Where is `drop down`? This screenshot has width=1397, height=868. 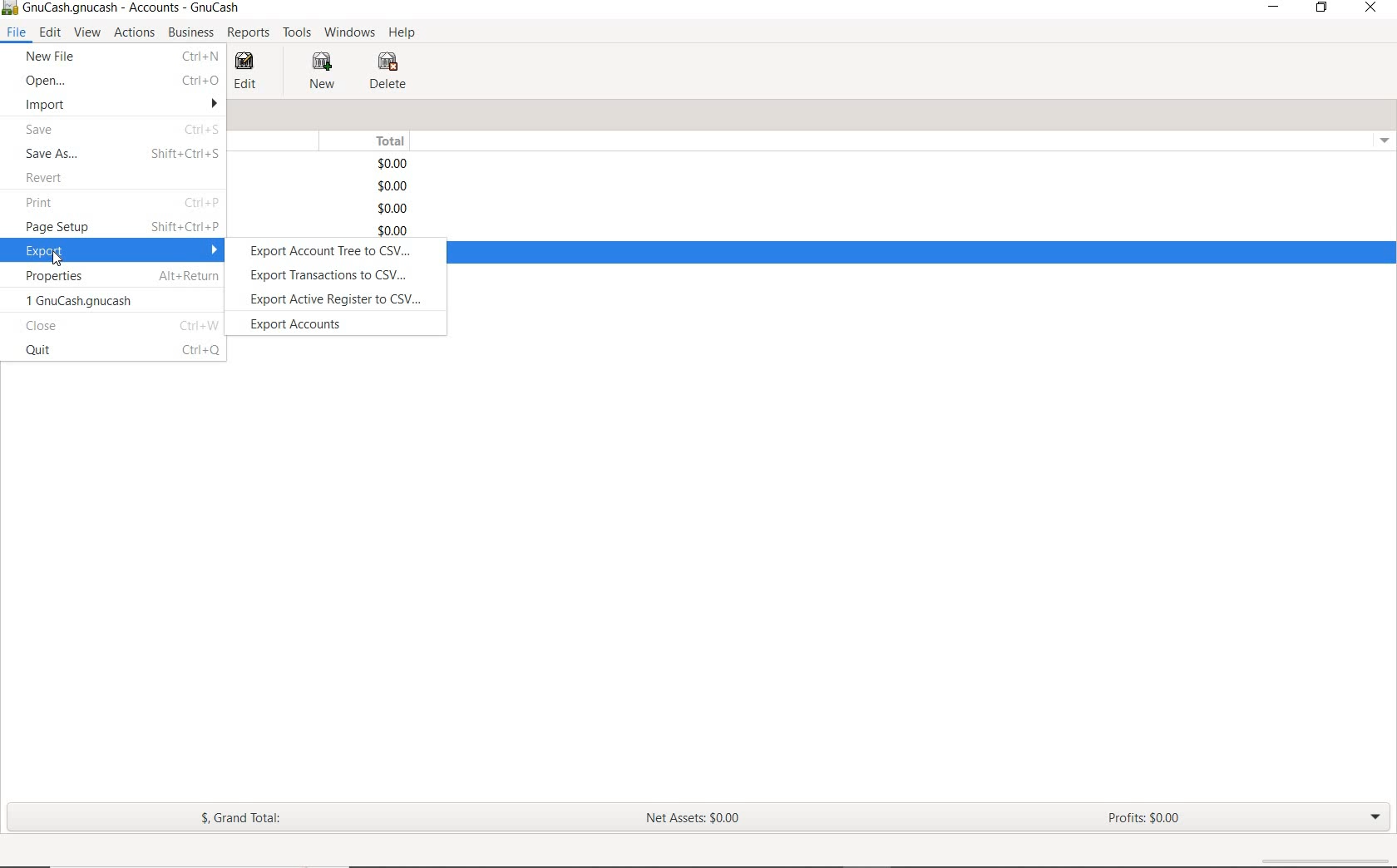 drop down is located at coordinates (215, 104).